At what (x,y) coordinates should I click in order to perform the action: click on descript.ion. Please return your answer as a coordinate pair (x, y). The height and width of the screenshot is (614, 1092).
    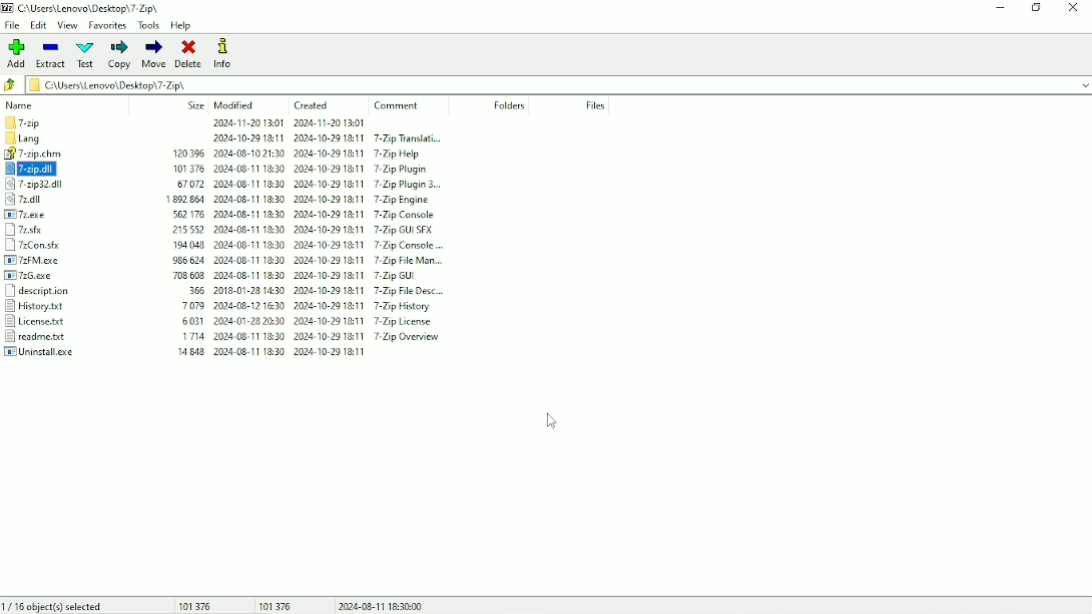
    Looking at the image, I should click on (38, 292).